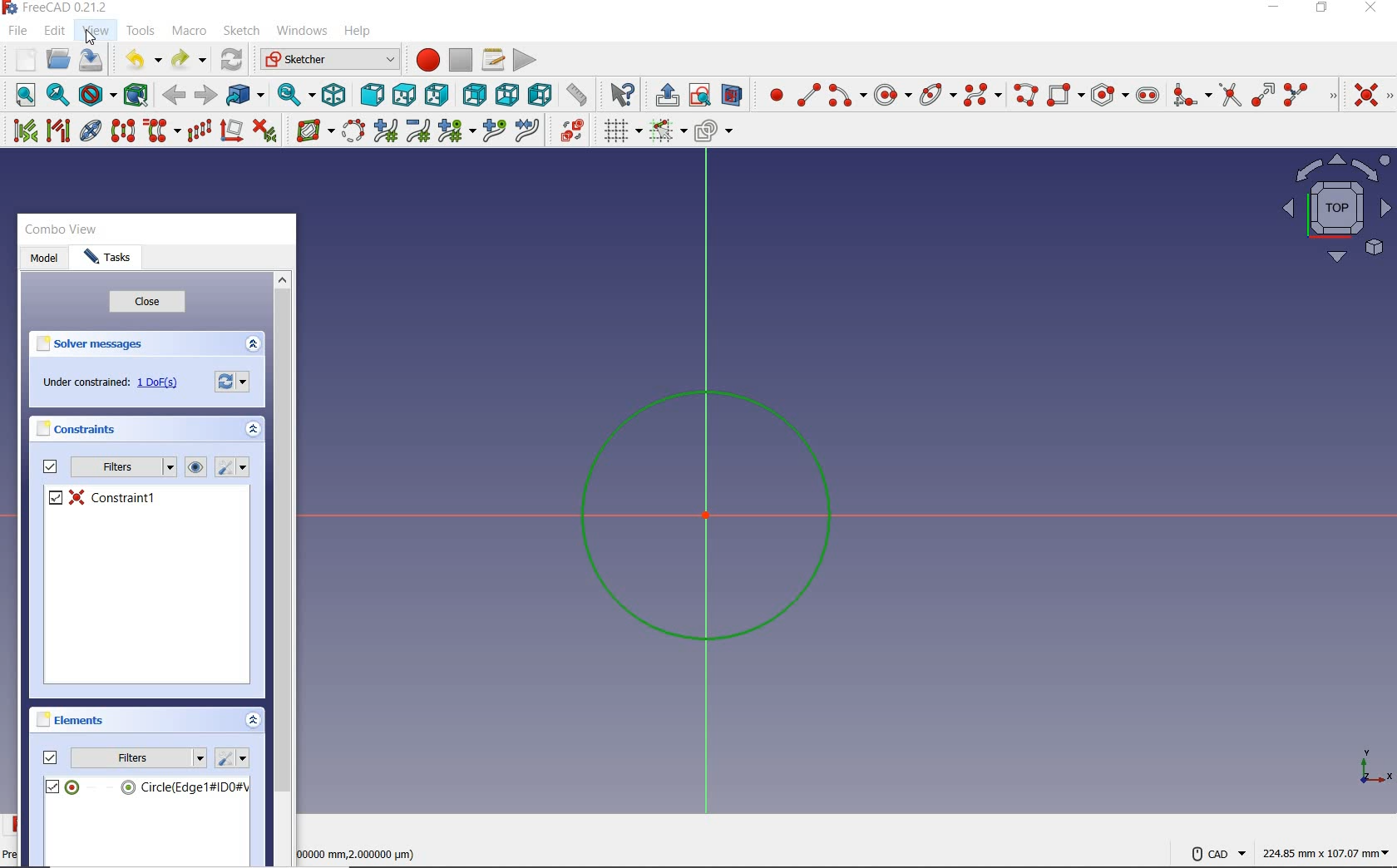 The height and width of the screenshot is (868, 1397). What do you see at coordinates (58, 60) in the screenshot?
I see `open` at bounding box center [58, 60].